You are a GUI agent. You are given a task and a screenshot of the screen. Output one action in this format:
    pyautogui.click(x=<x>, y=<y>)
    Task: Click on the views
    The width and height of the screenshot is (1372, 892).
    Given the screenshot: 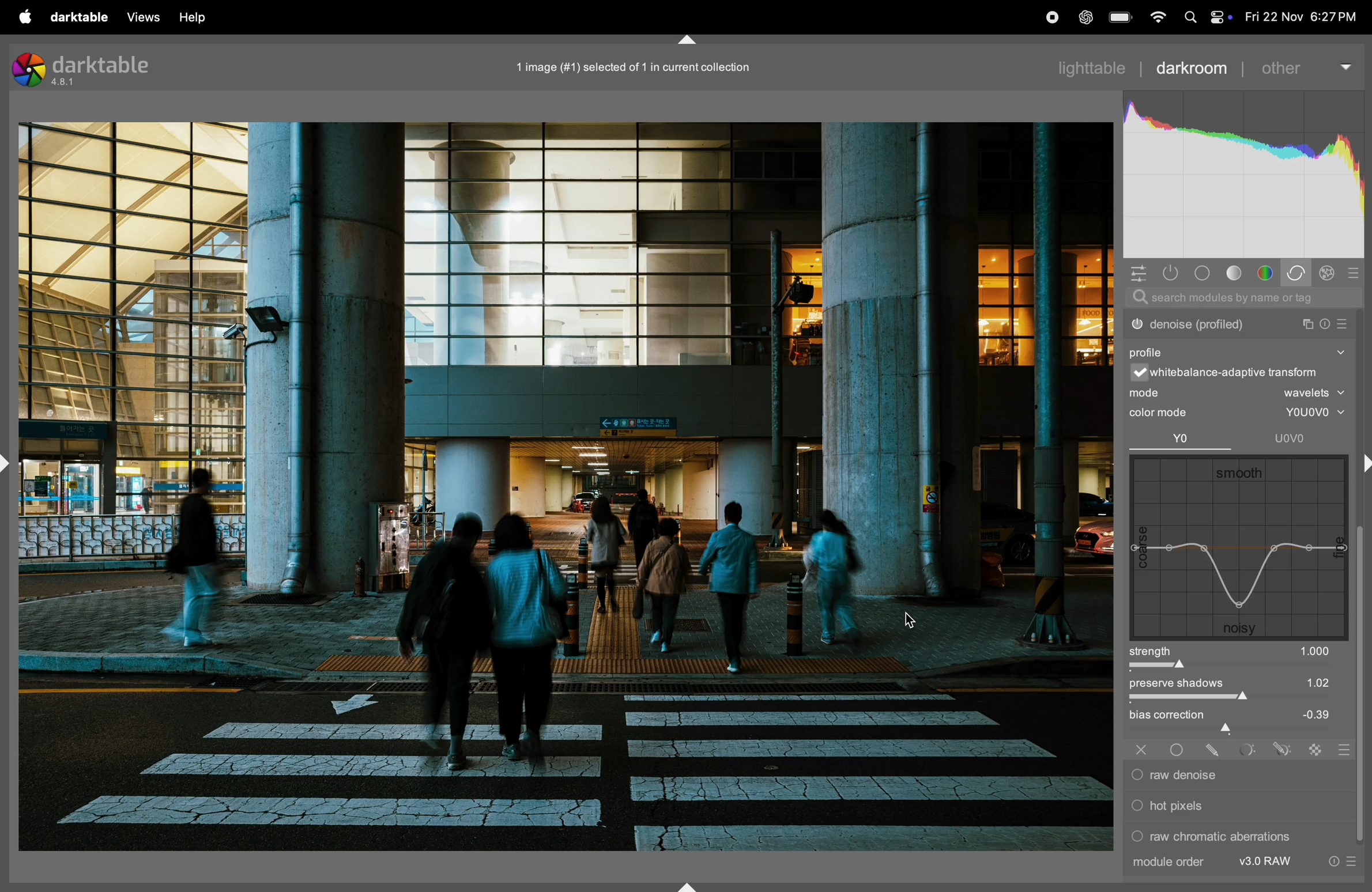 What is the action you would take?
    pyautogui.click(x=144, y=17)
    